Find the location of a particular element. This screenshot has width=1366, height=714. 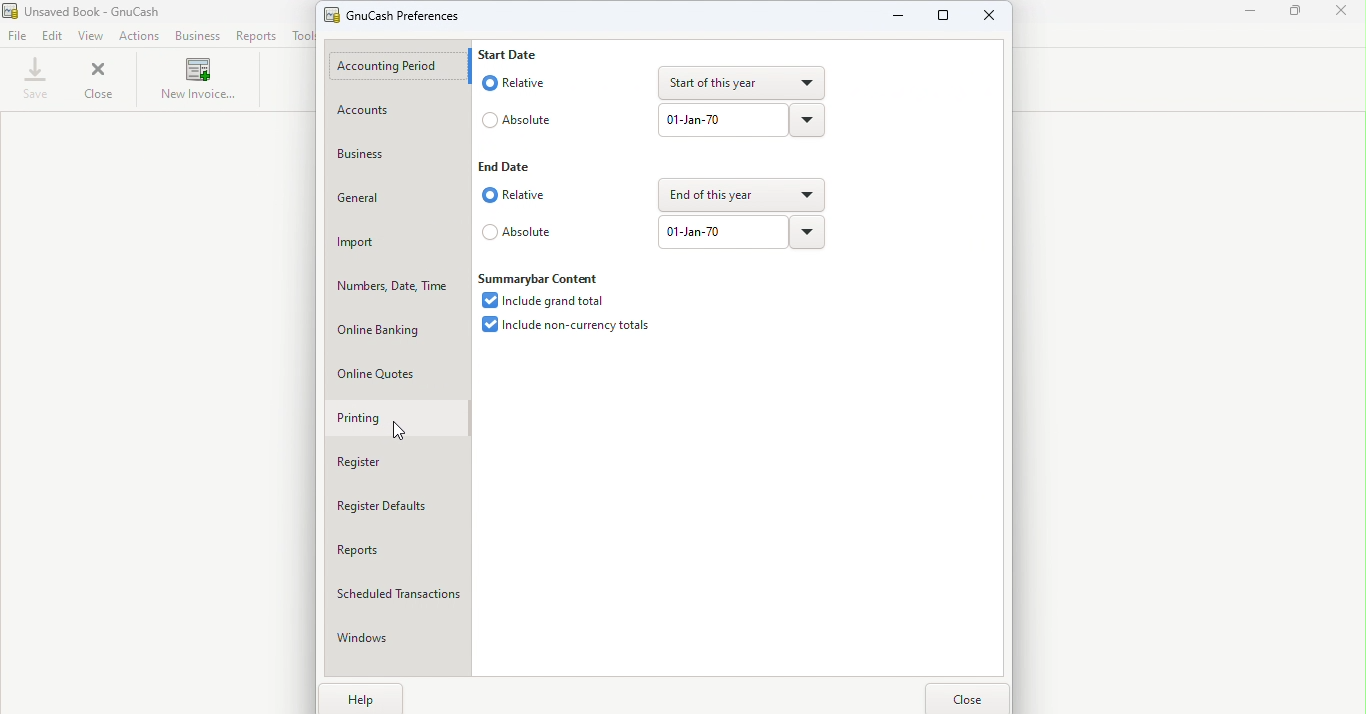

Online banking is located at coordinates (399, 329).